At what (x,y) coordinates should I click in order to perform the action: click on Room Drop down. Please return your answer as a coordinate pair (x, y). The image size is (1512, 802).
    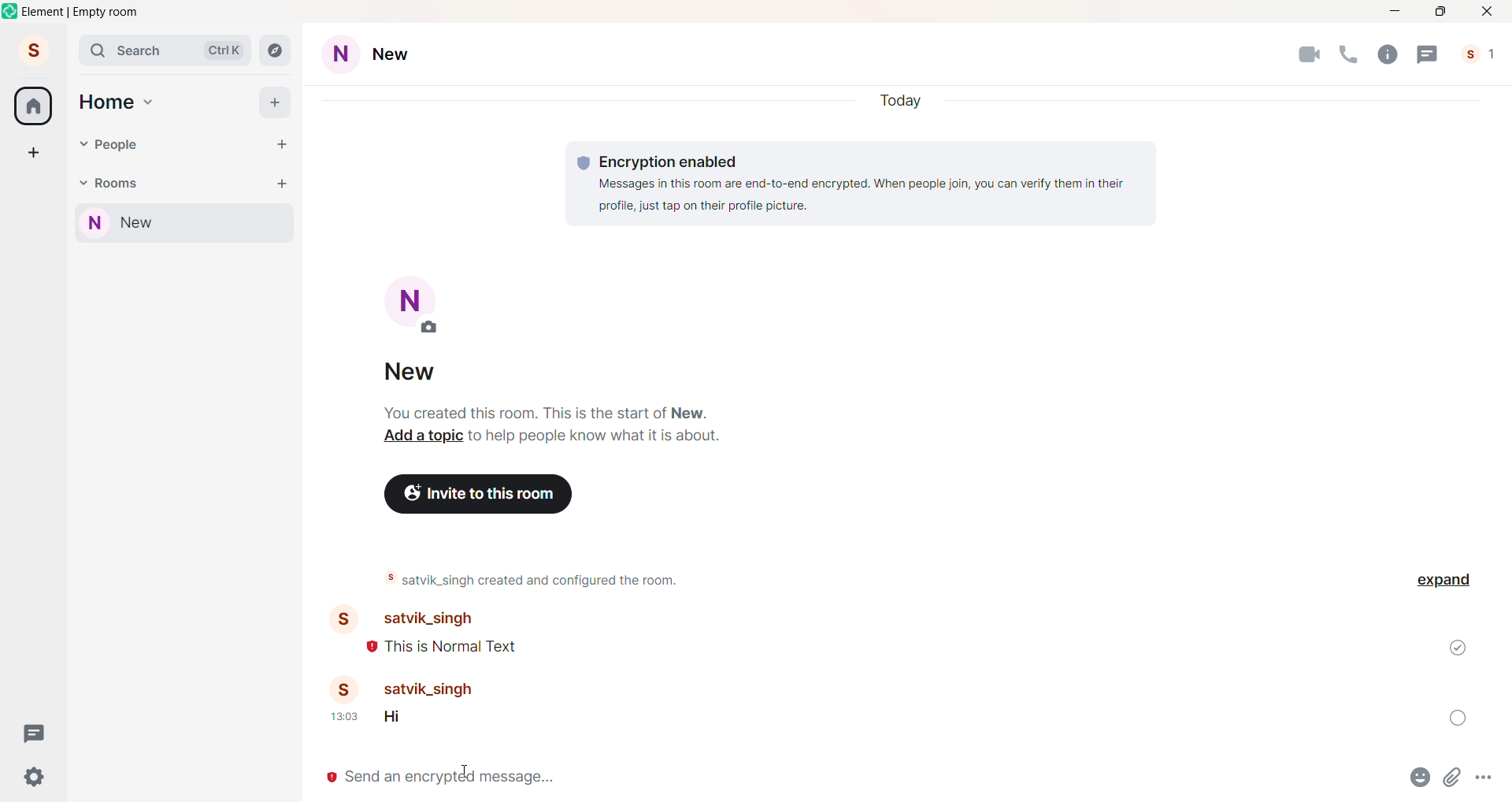
    Looking at the image, I should click on (83, 184).